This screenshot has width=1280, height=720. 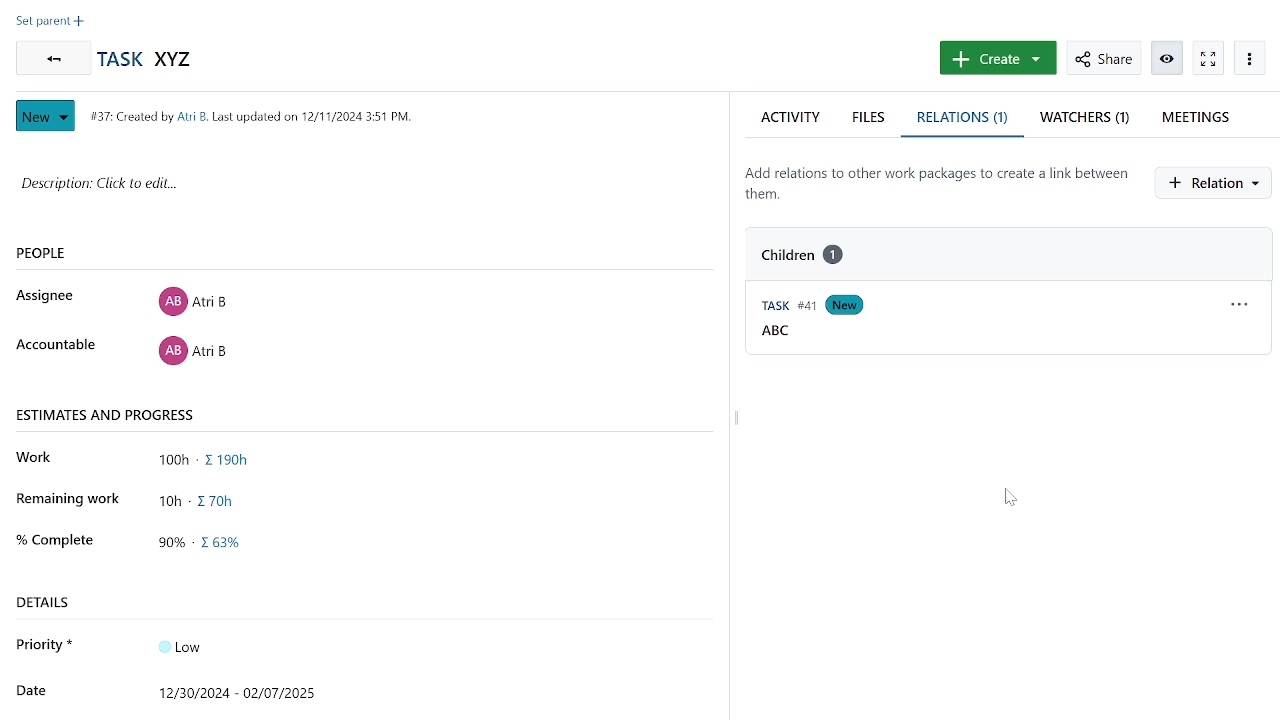 I want to click on completed work in progress, so click(x=209, y=545).